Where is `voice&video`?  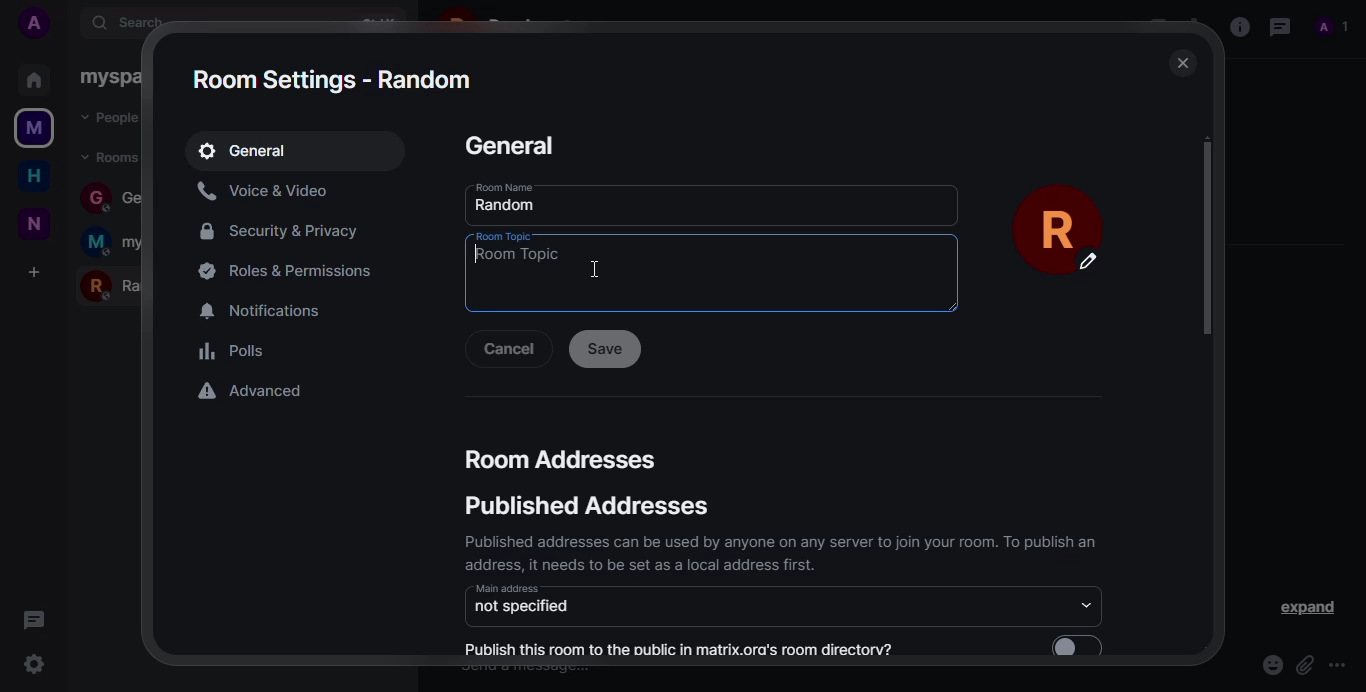
voice&video is located at coordinates (268, 190).